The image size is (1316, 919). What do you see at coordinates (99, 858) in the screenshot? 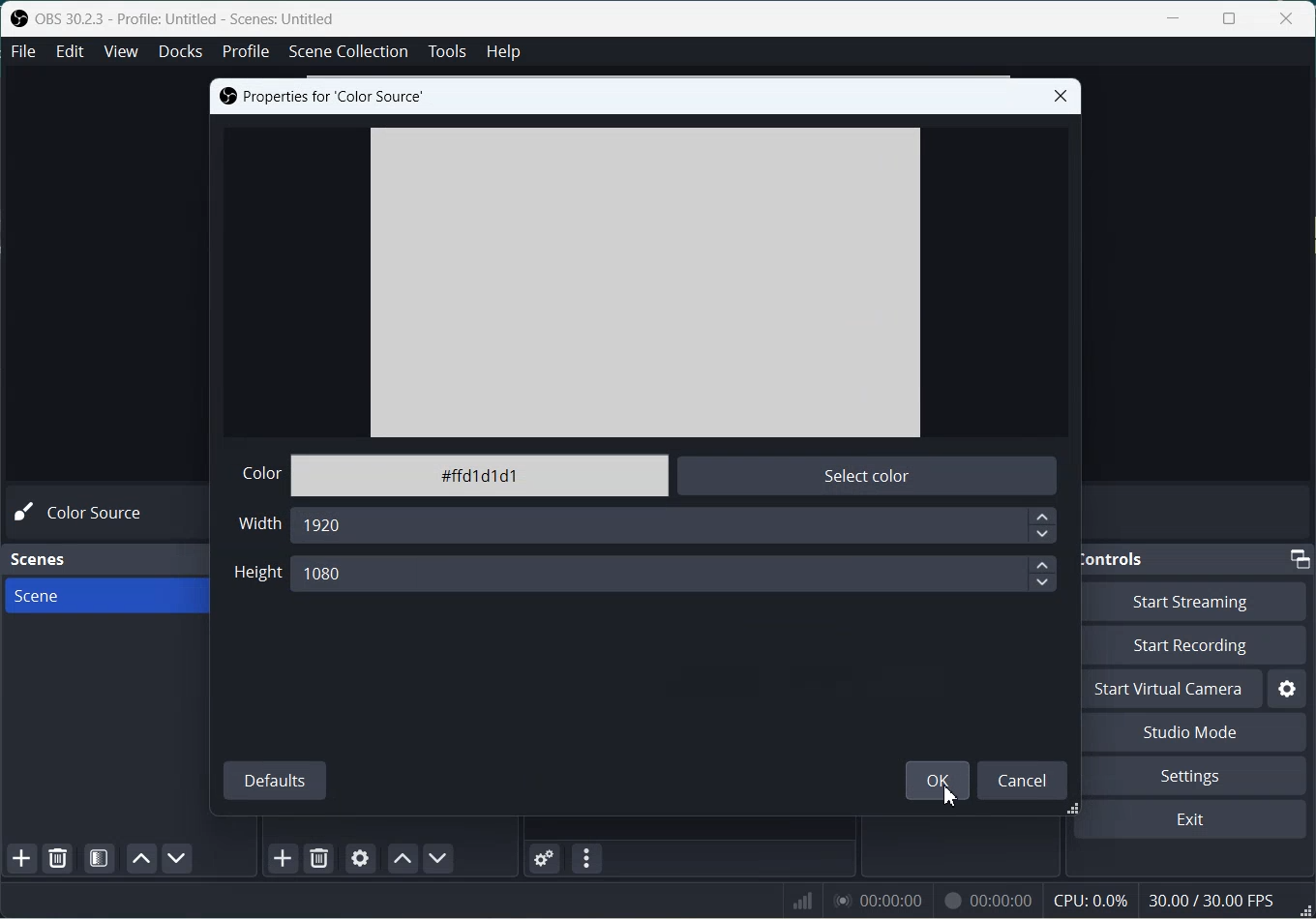
I see `Open scene Filter` at bounding box center [99, 858].